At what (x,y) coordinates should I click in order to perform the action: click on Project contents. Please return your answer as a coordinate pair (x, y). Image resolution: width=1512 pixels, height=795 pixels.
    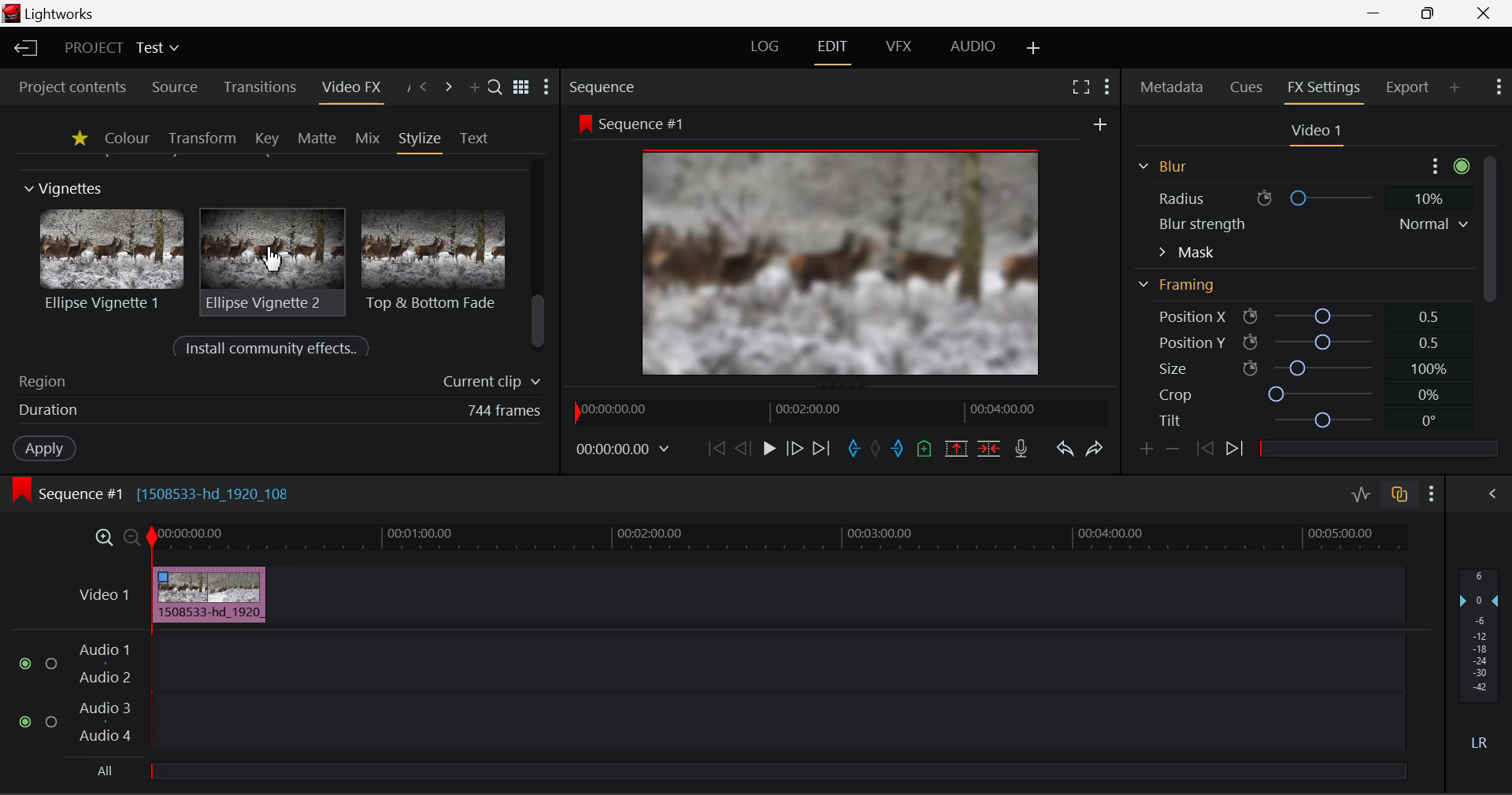
    Looking at the image, I should click on (72, 87).